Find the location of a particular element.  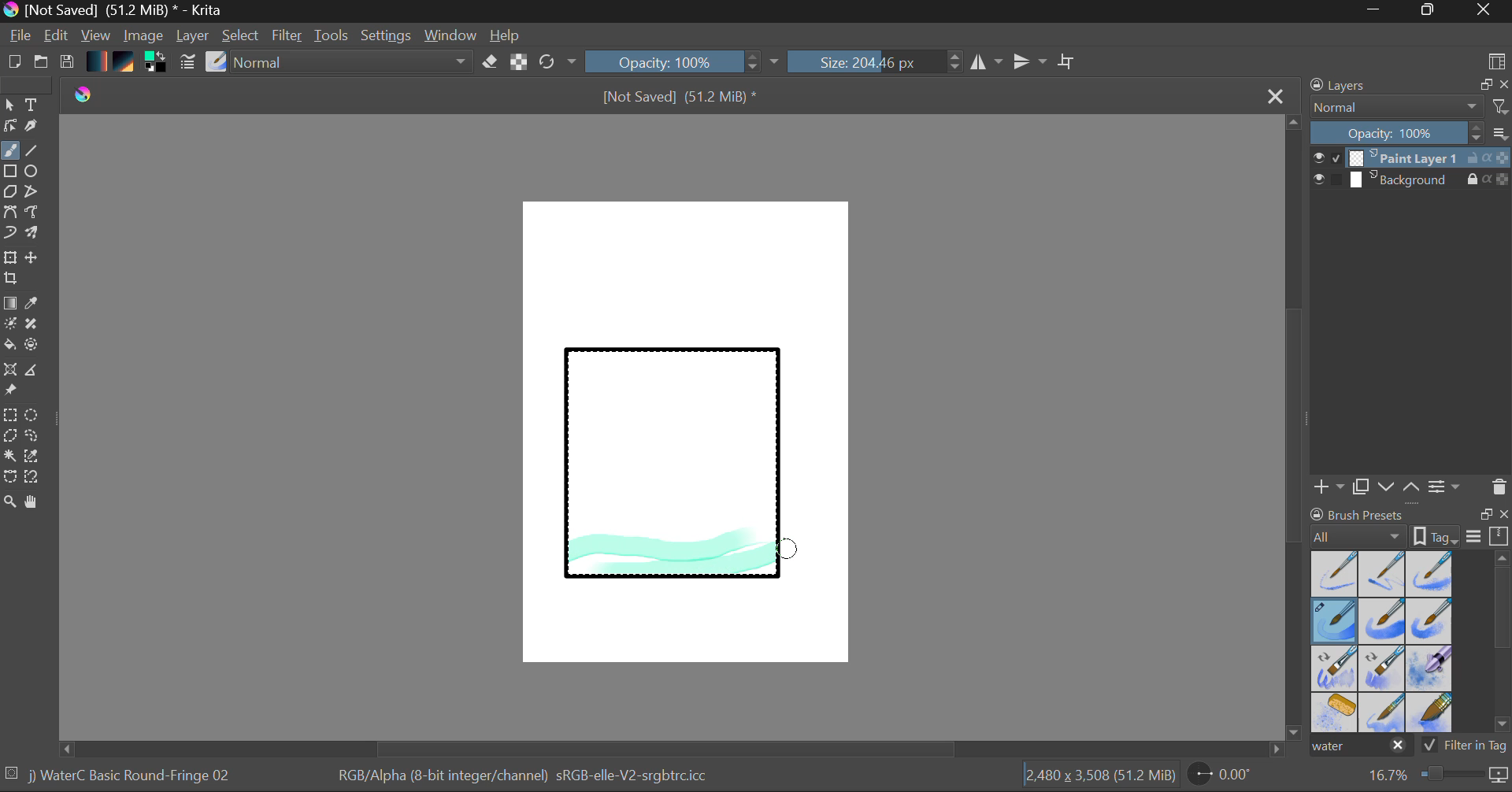

Zoom is located at coordinates (1436, 775).